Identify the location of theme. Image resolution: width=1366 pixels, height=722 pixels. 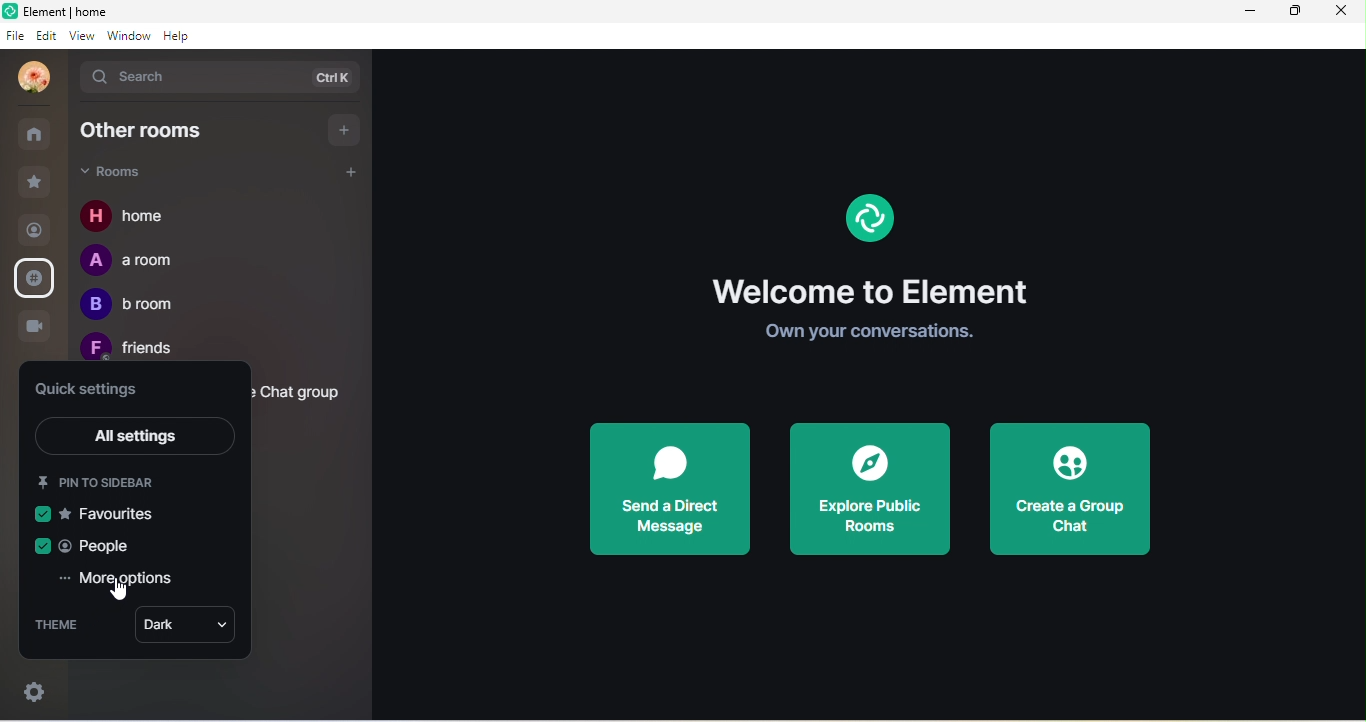
(60, 624).